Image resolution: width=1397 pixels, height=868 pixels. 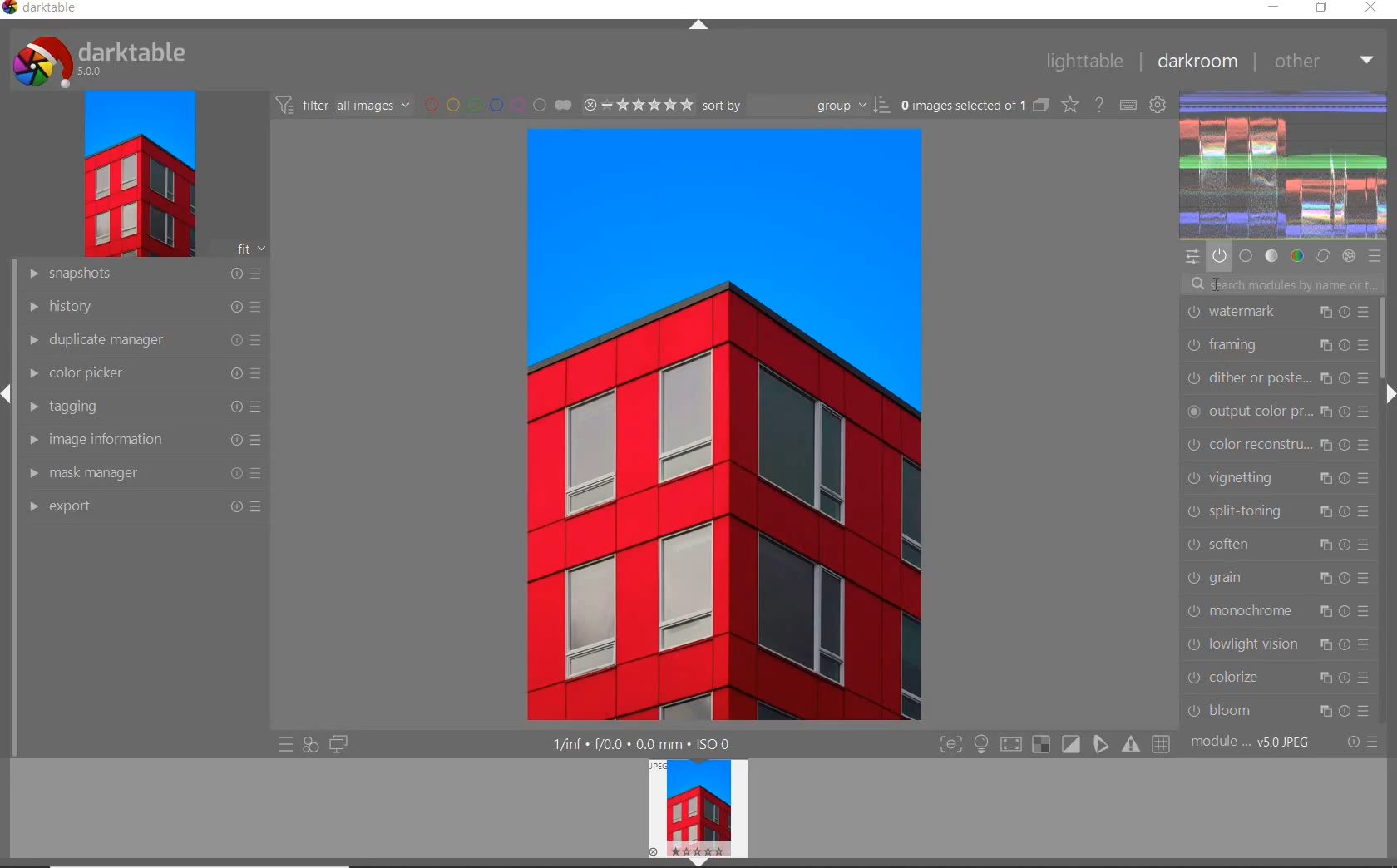 I want to click on selected Image range rating, so click(x=639, y=104).